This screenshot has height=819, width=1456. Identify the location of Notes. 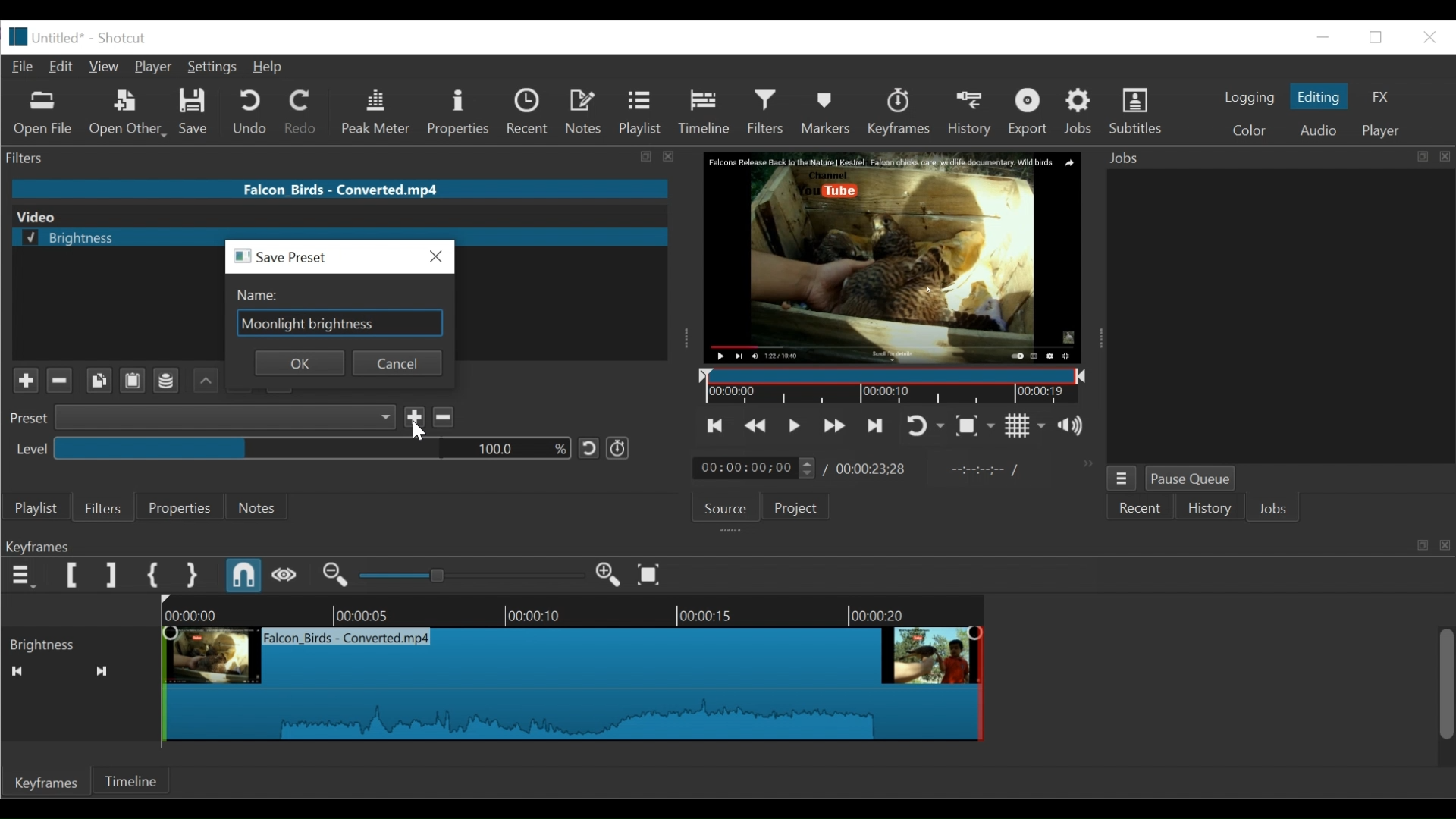
(585, 111).